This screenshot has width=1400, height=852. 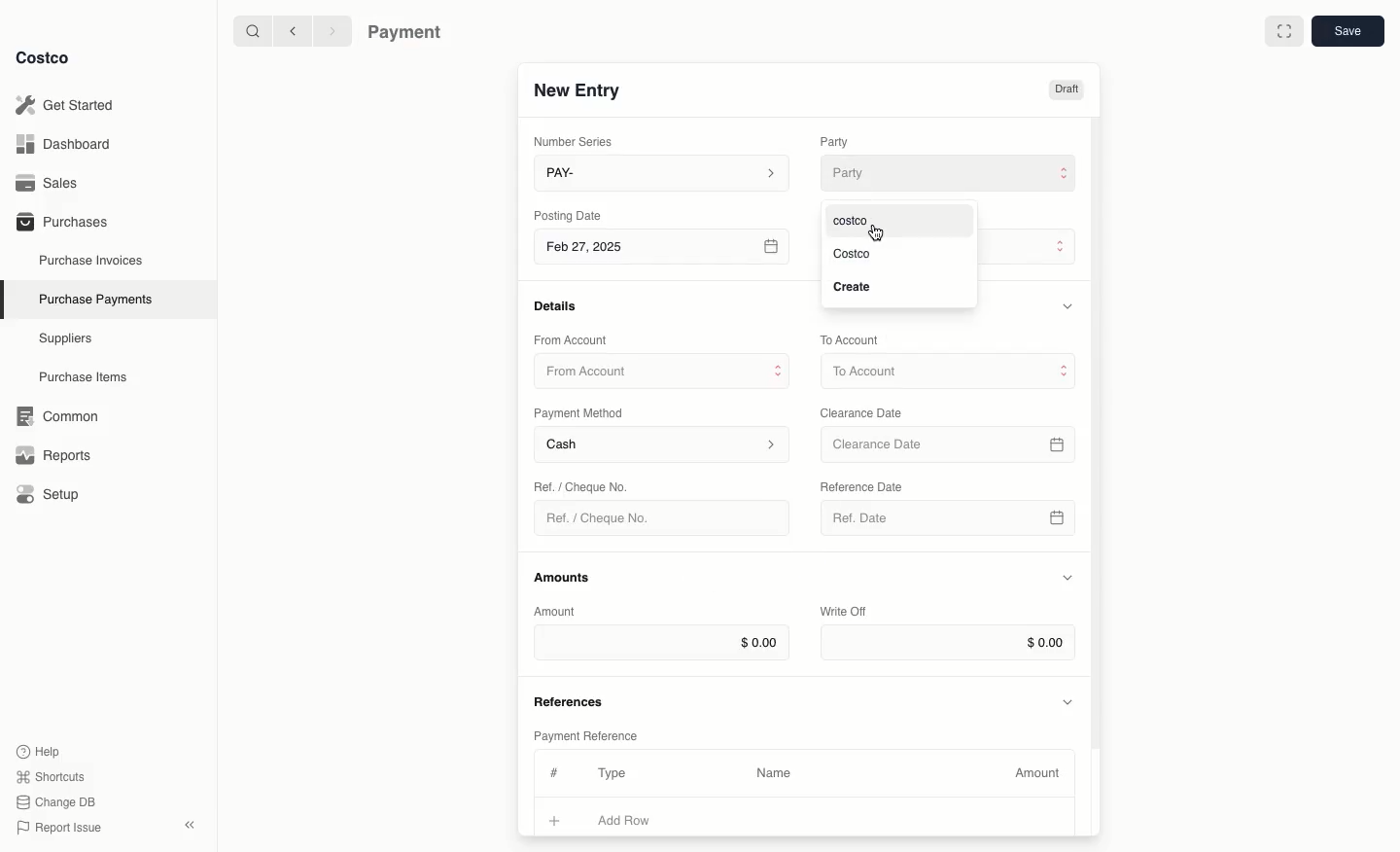 I want to click on costco, so click(x=855, y=221).